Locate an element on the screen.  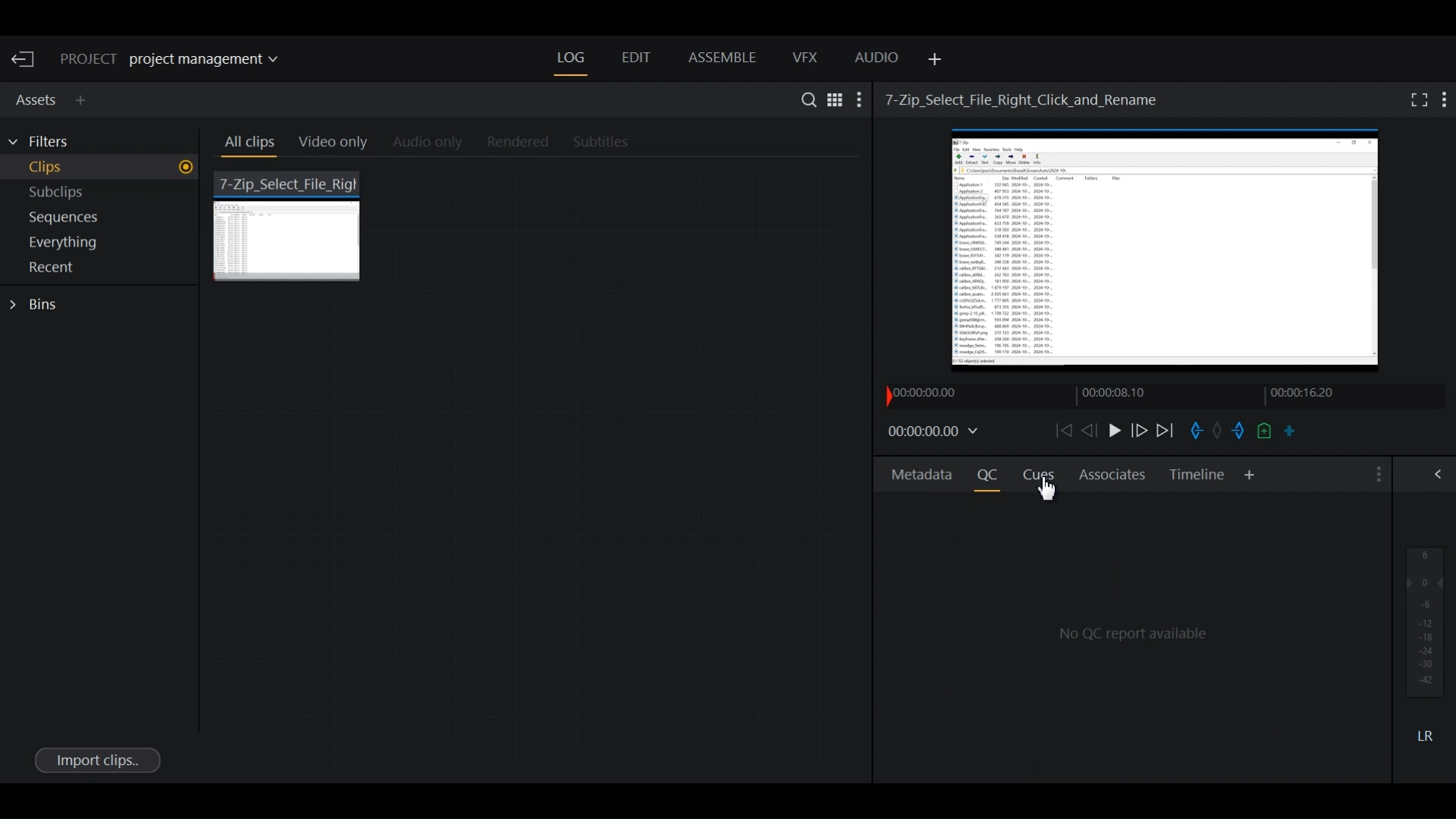
Play is located at coordinates (1113, 430).